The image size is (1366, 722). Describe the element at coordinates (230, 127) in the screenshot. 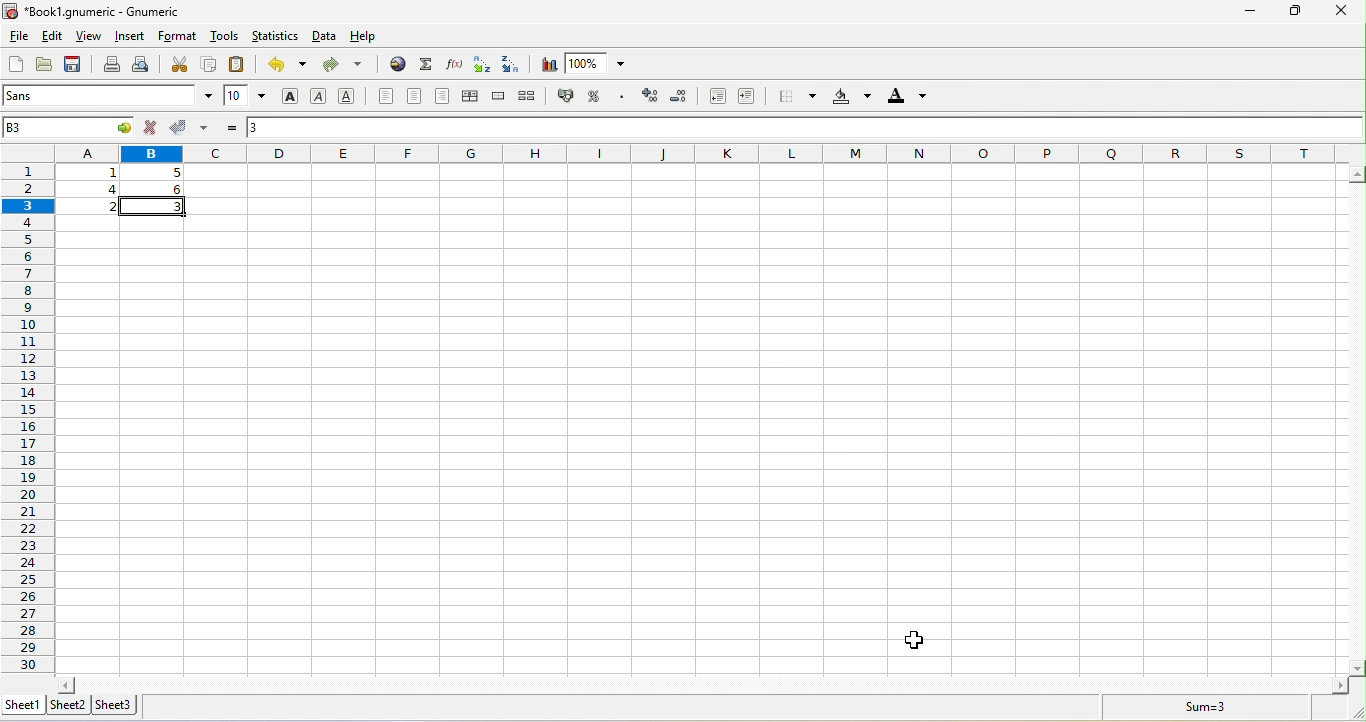

I see `formula` at that location.